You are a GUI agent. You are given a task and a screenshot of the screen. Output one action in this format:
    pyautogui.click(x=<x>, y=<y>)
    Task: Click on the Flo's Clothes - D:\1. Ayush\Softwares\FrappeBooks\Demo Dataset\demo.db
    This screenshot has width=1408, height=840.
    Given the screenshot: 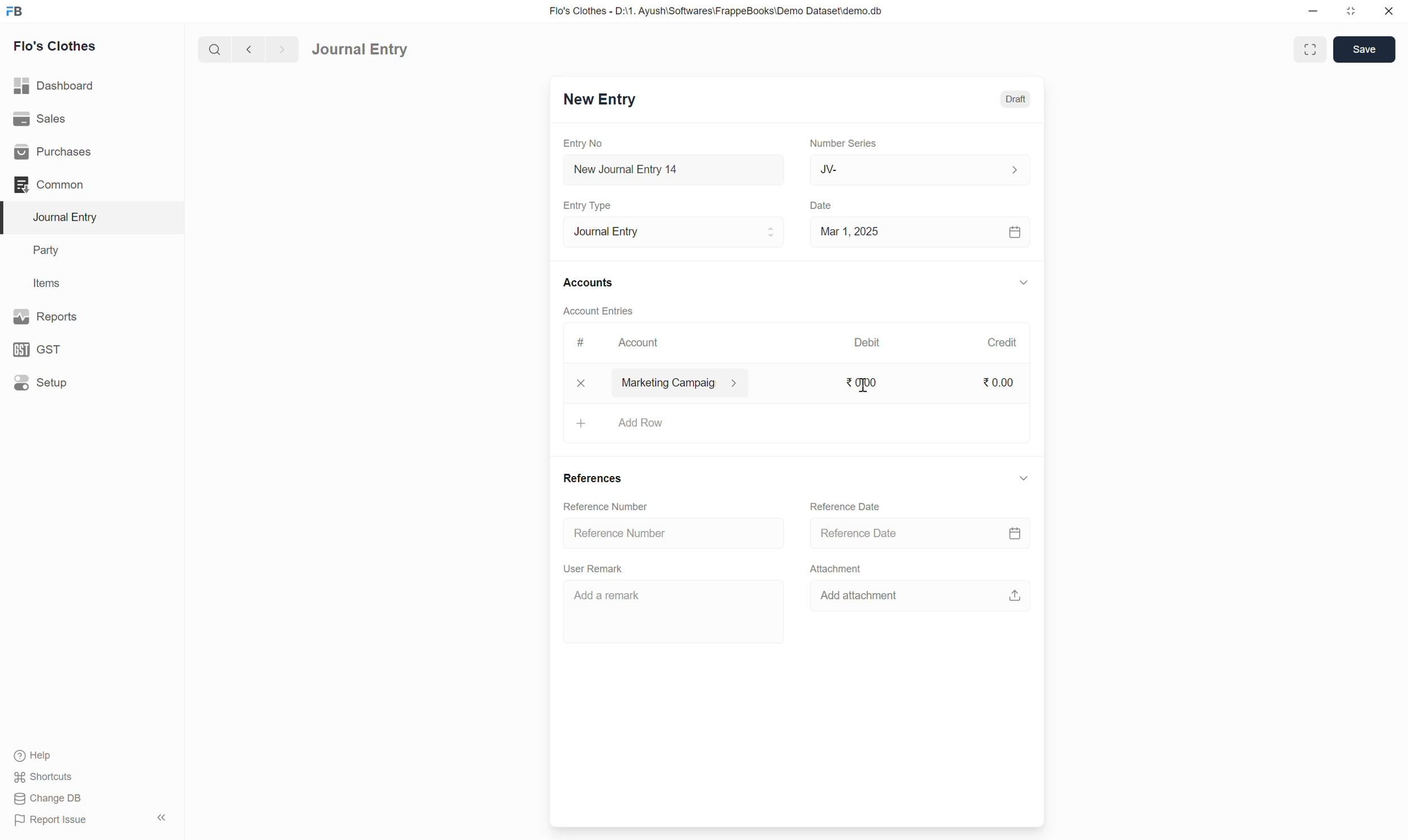 What is the action you would take?
    pyautogui.click(x=719, y=10)
    